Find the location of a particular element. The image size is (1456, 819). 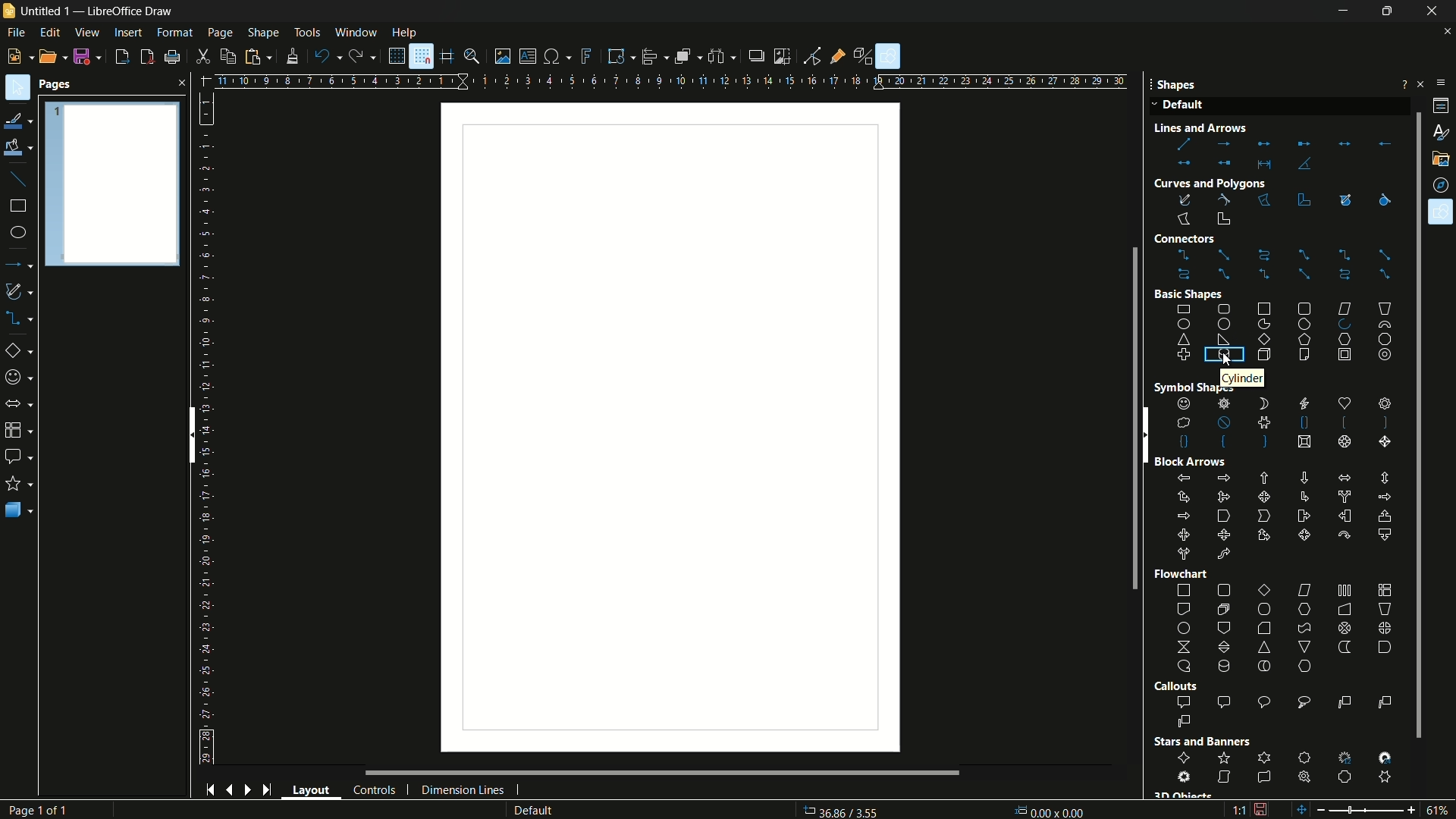

close is located at coordinates (178, 83).